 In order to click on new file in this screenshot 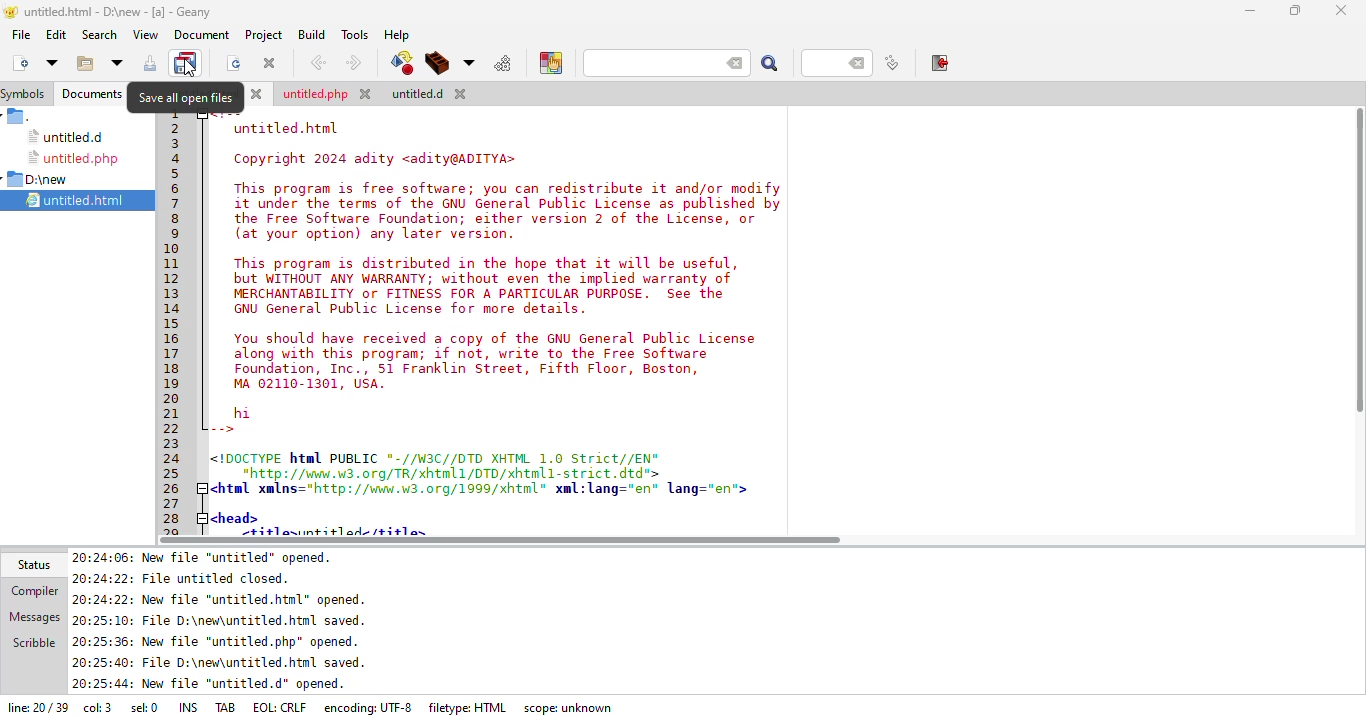, I will do `click(16, 63)`.